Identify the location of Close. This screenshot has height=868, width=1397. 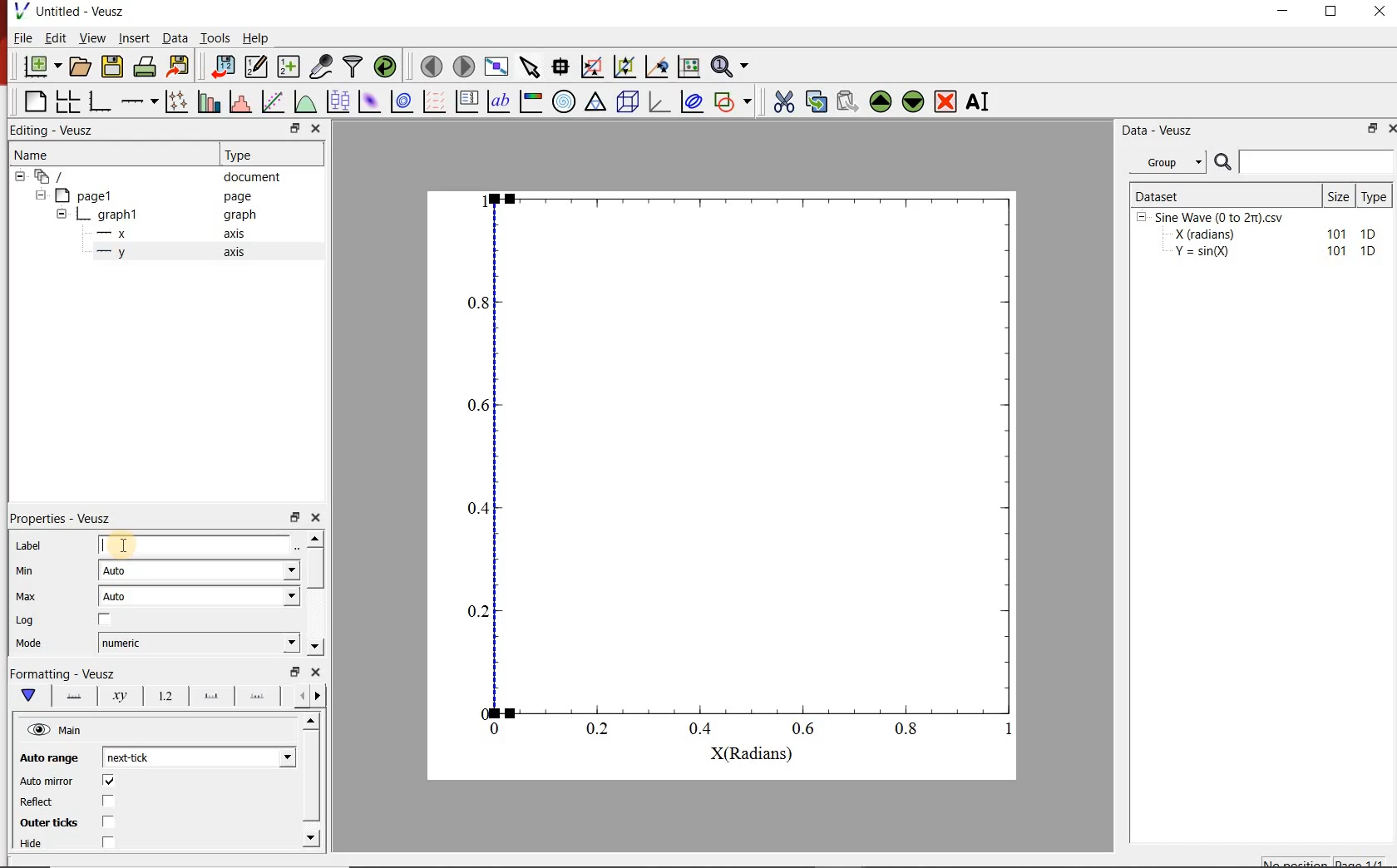
(317, 515).